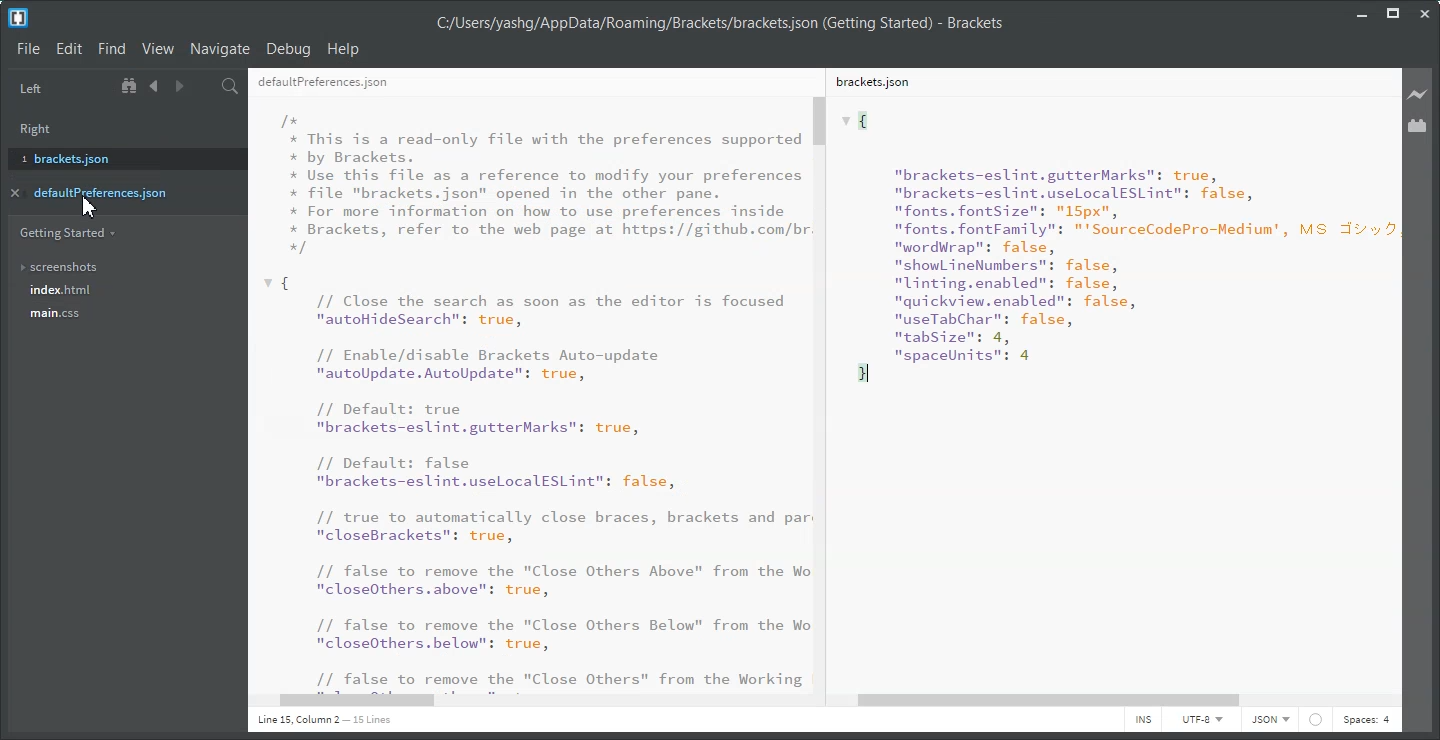 The height and width of the screenshot is (740, 1440). Describe the element at coordinates (220, 48) in the screenshot. I see `Navigate` at that location.